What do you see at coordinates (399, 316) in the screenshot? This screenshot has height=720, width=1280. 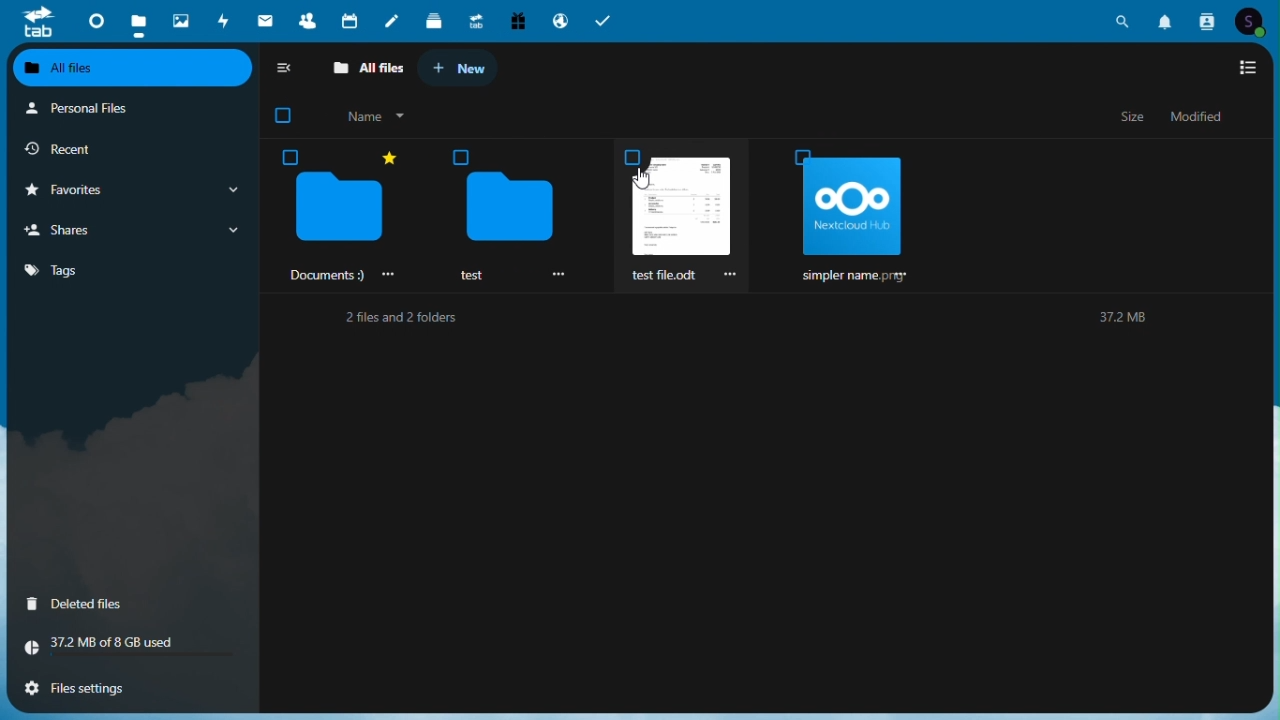 I see `2 files and 2 folders` at bounding box center [399, 316].